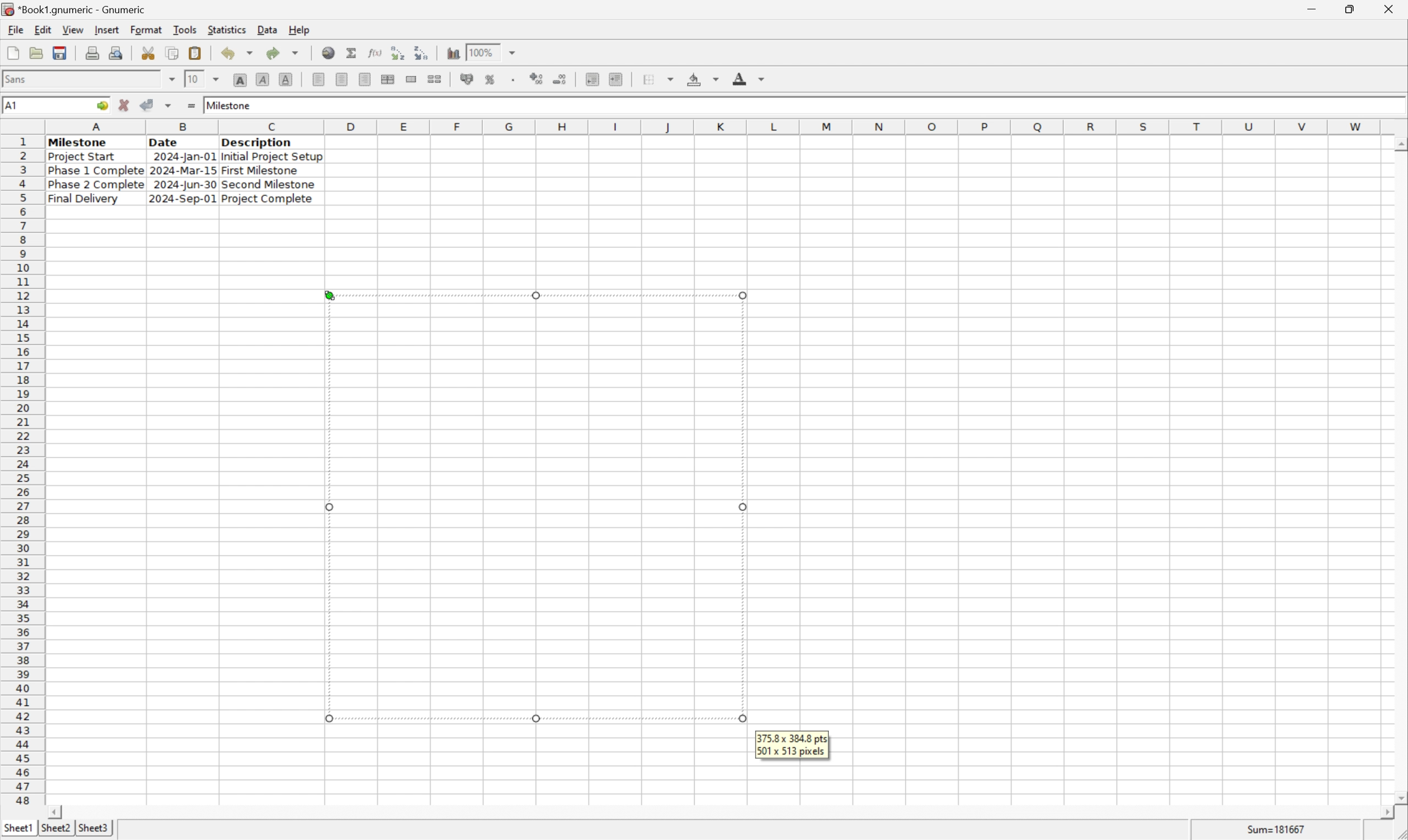 This screenshot has width=1408, height=840. I want to click on help, so click(299, 28).